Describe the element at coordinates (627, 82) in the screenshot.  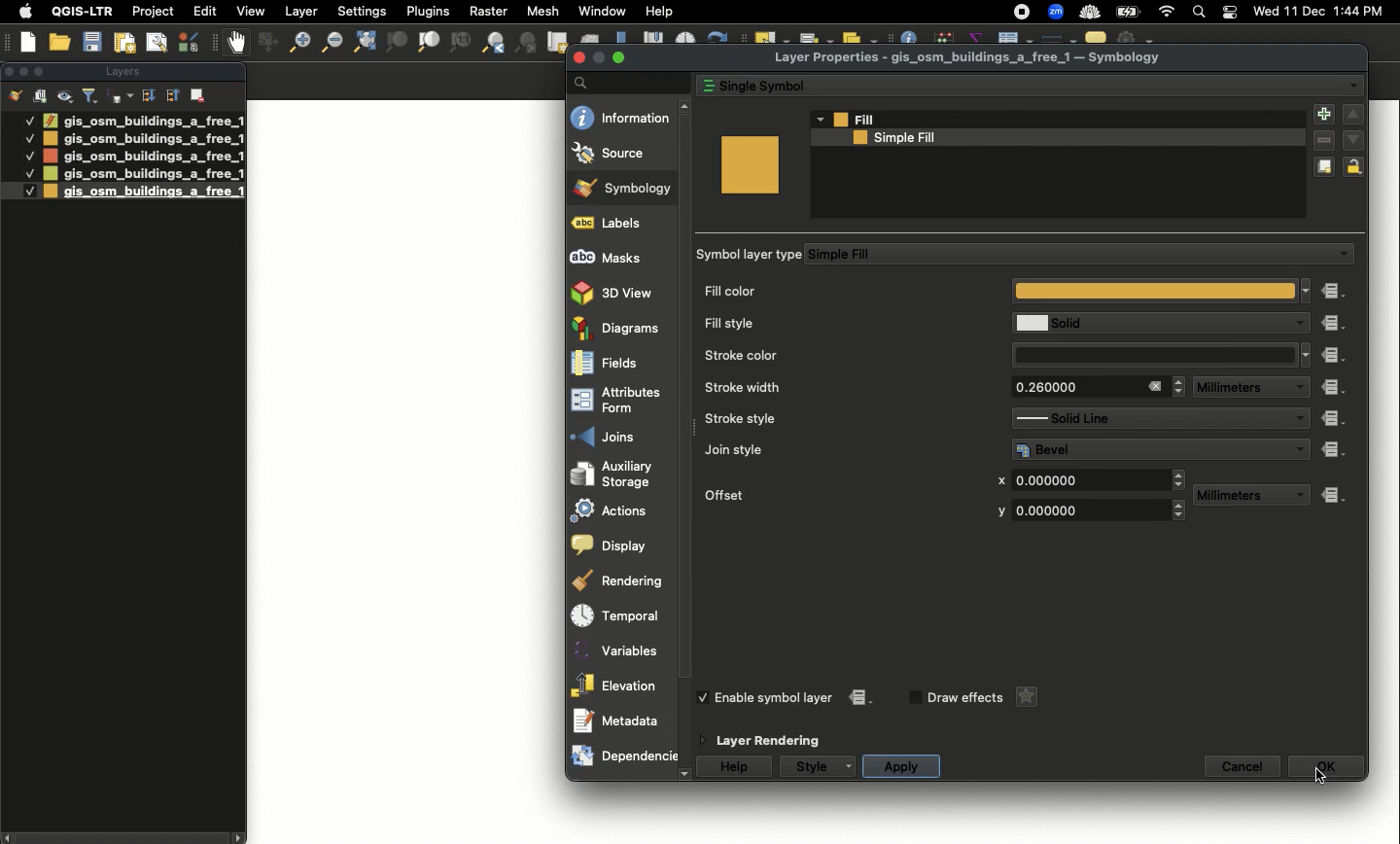
I see `Search` at that location.